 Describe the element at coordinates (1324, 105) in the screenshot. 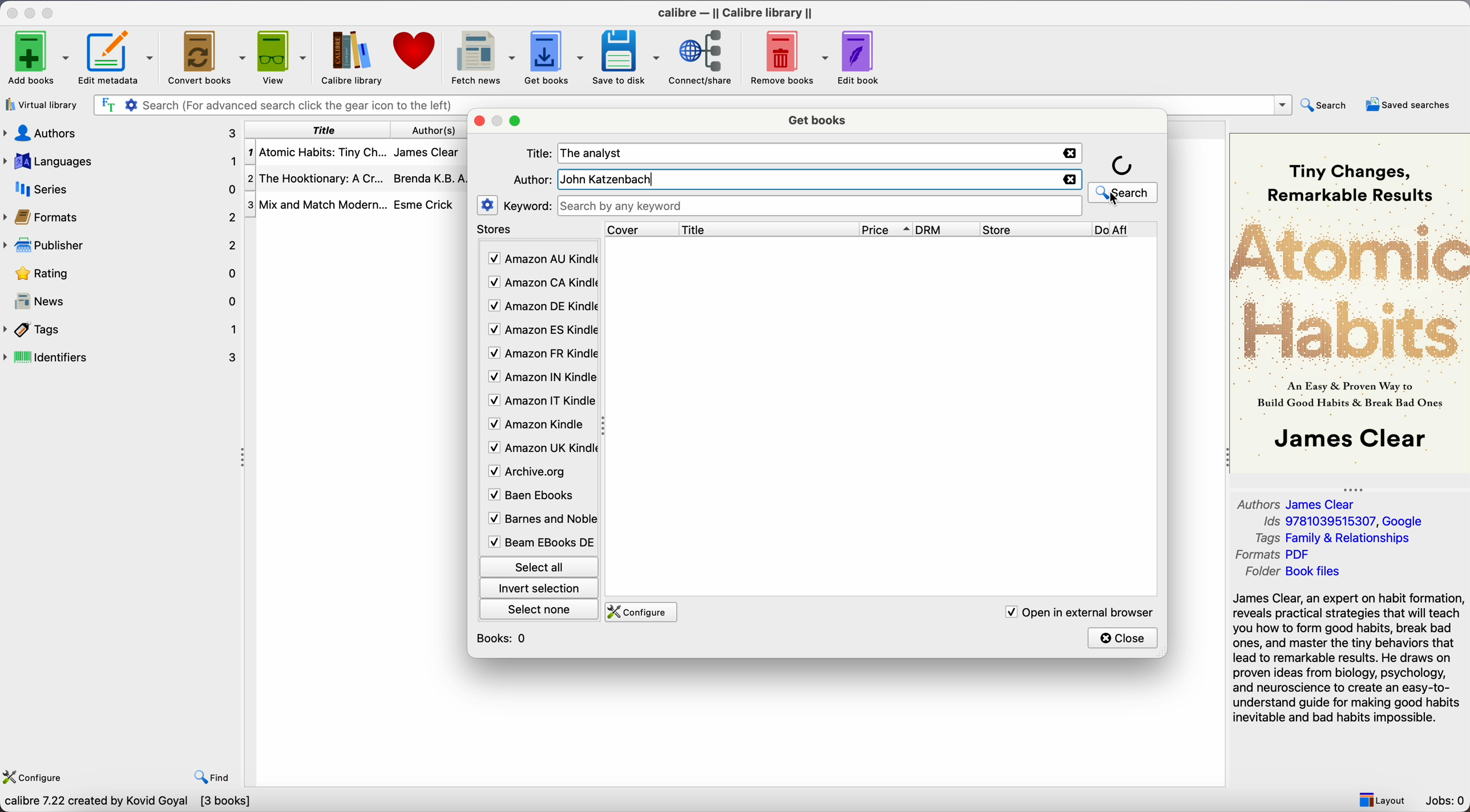

I see `search` at that location.